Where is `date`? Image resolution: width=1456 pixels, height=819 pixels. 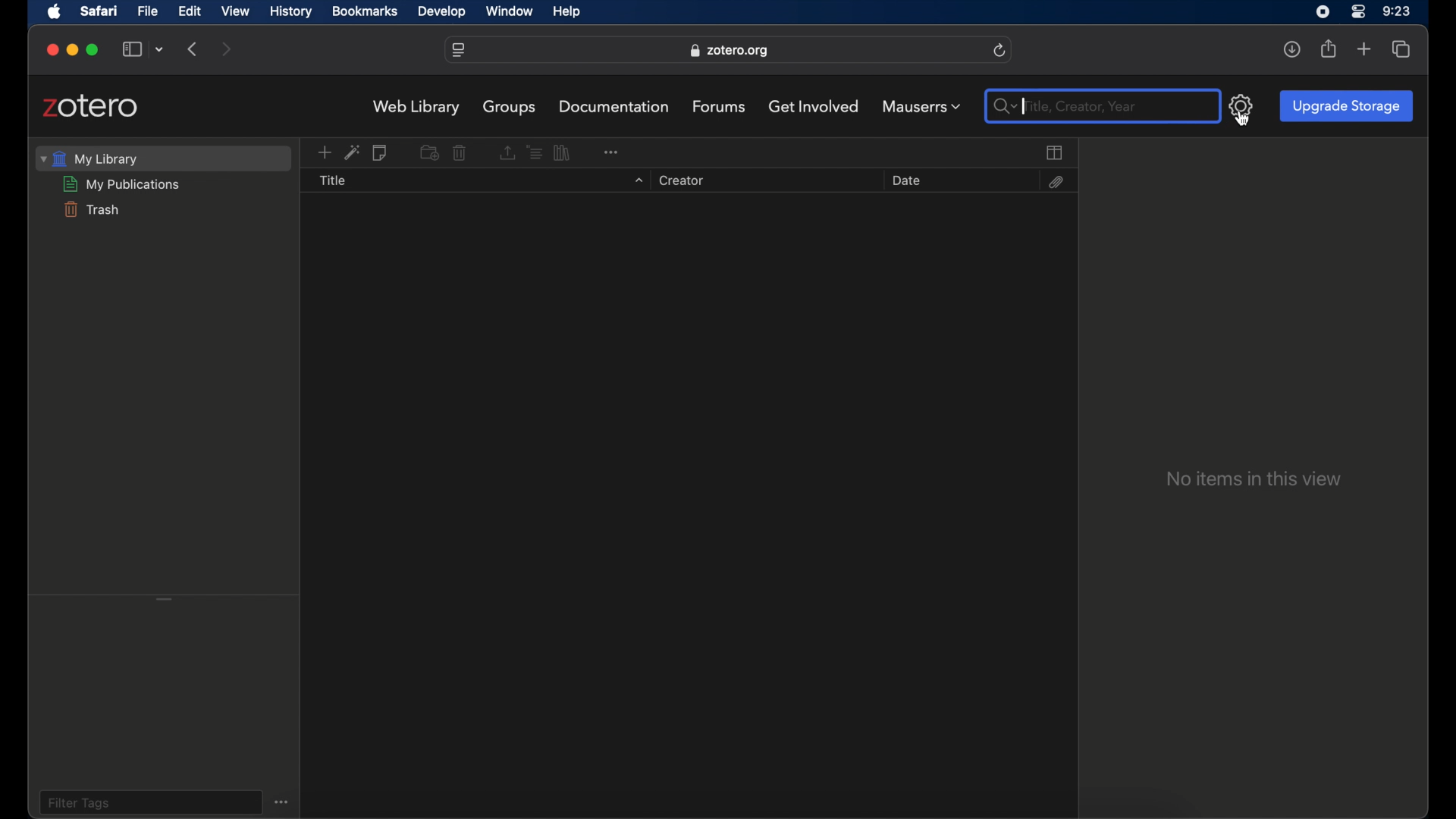 date is located at coordinates (905, 180).